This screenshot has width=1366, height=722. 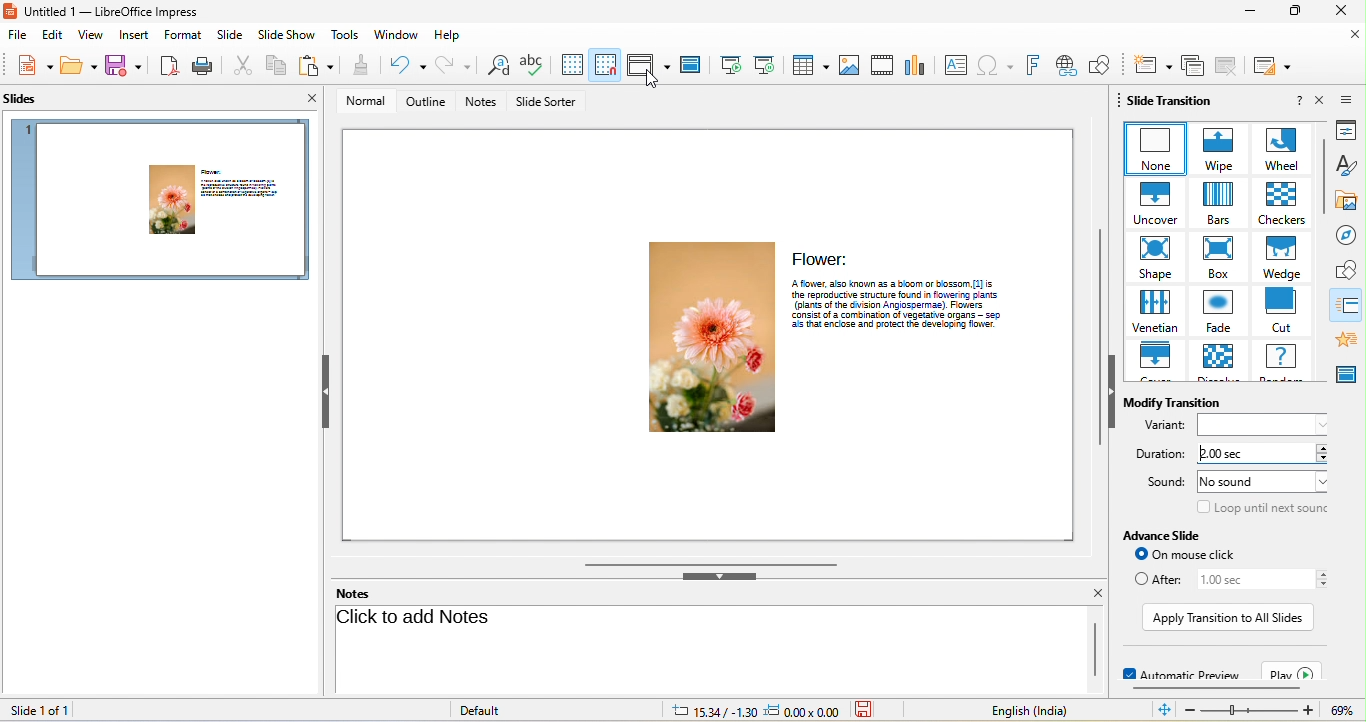 What do you see at coordinates (906, 293) in the screenshot?
I see `the reproductive structure found n flowenng plants` at bounding box center [906, 293].